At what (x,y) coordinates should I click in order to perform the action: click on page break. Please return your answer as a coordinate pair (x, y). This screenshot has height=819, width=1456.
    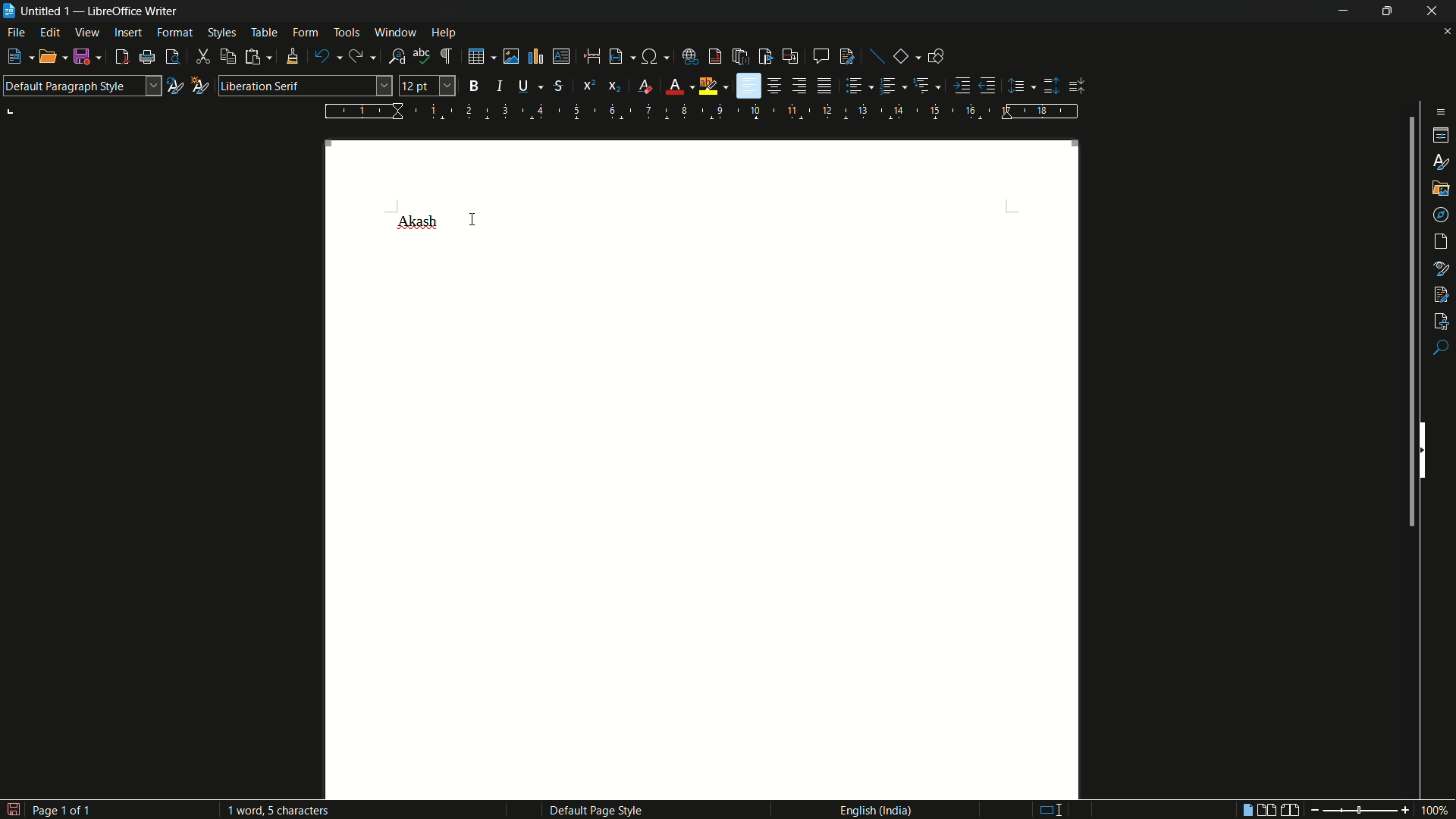
    Looking at the image, I should click on (591, 56).